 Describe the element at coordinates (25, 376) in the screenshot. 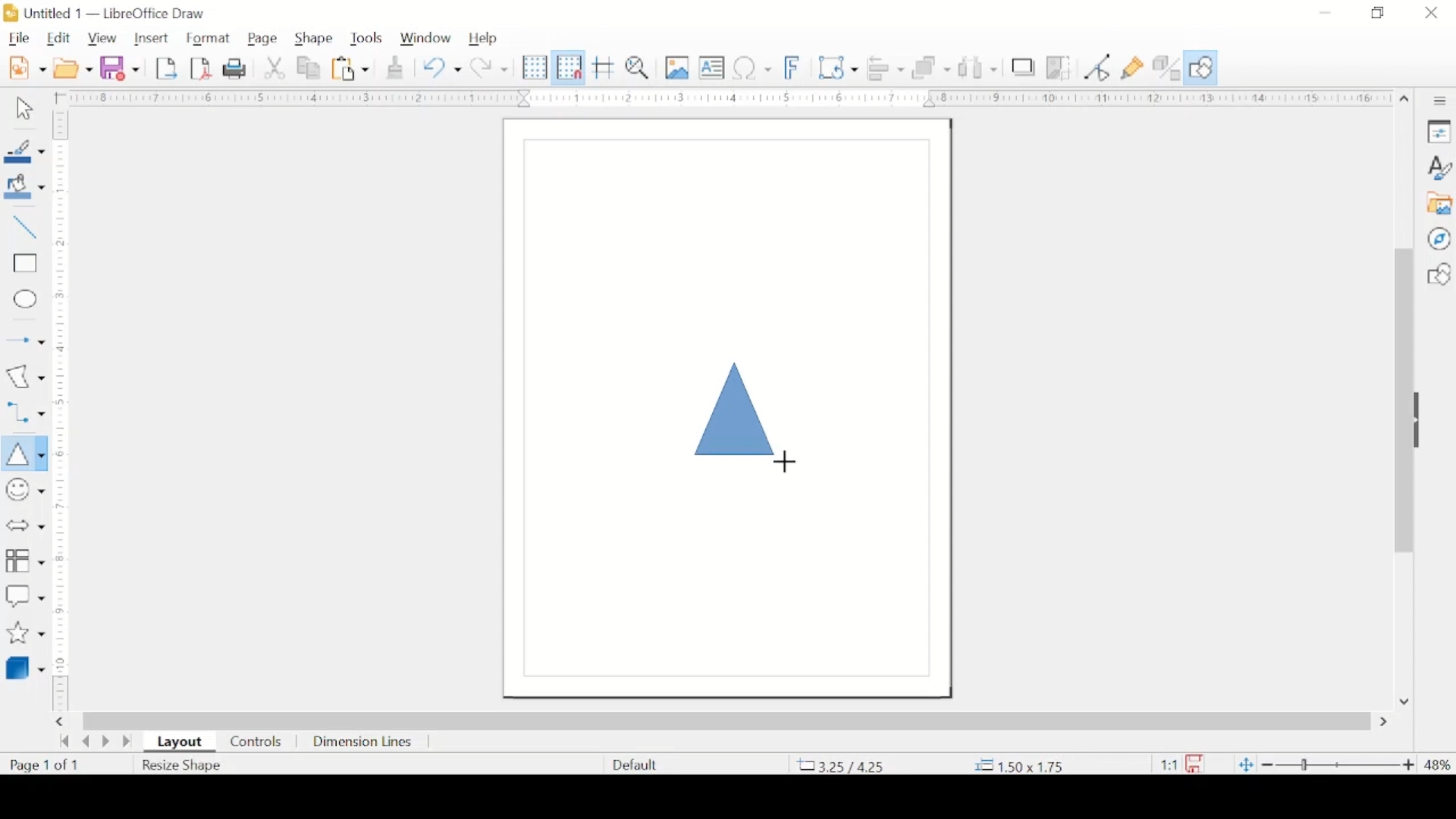

I see `insert curves and polygons` at that location.